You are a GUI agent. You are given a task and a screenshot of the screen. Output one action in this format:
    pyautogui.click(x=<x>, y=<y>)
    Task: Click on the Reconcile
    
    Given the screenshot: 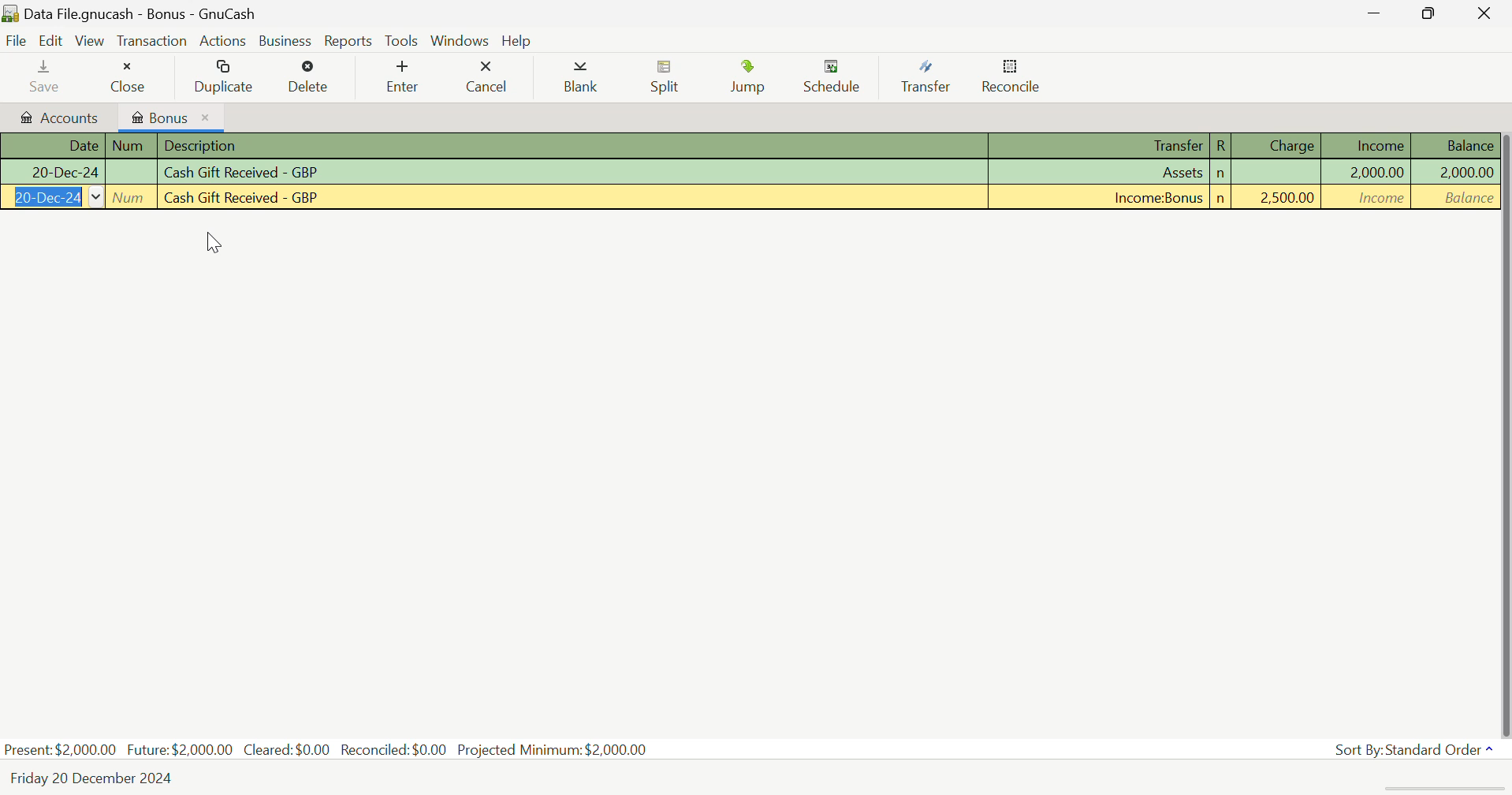 What is the action you would take?
    pyautogui.click(x=1011, y=77)
    